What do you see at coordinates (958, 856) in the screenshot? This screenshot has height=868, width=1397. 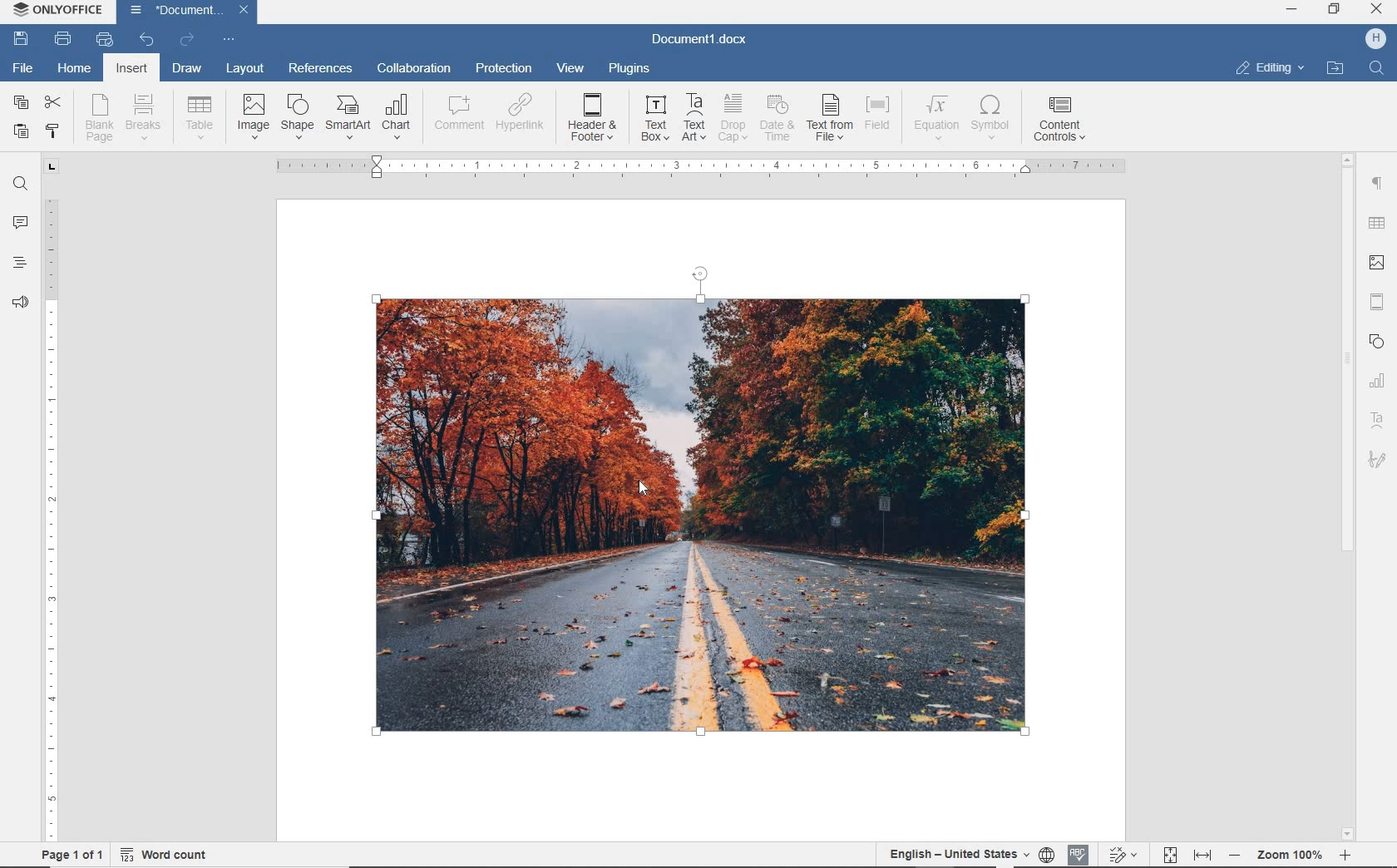 I see `English- United States(text language)` at bounding box center [958, 856].